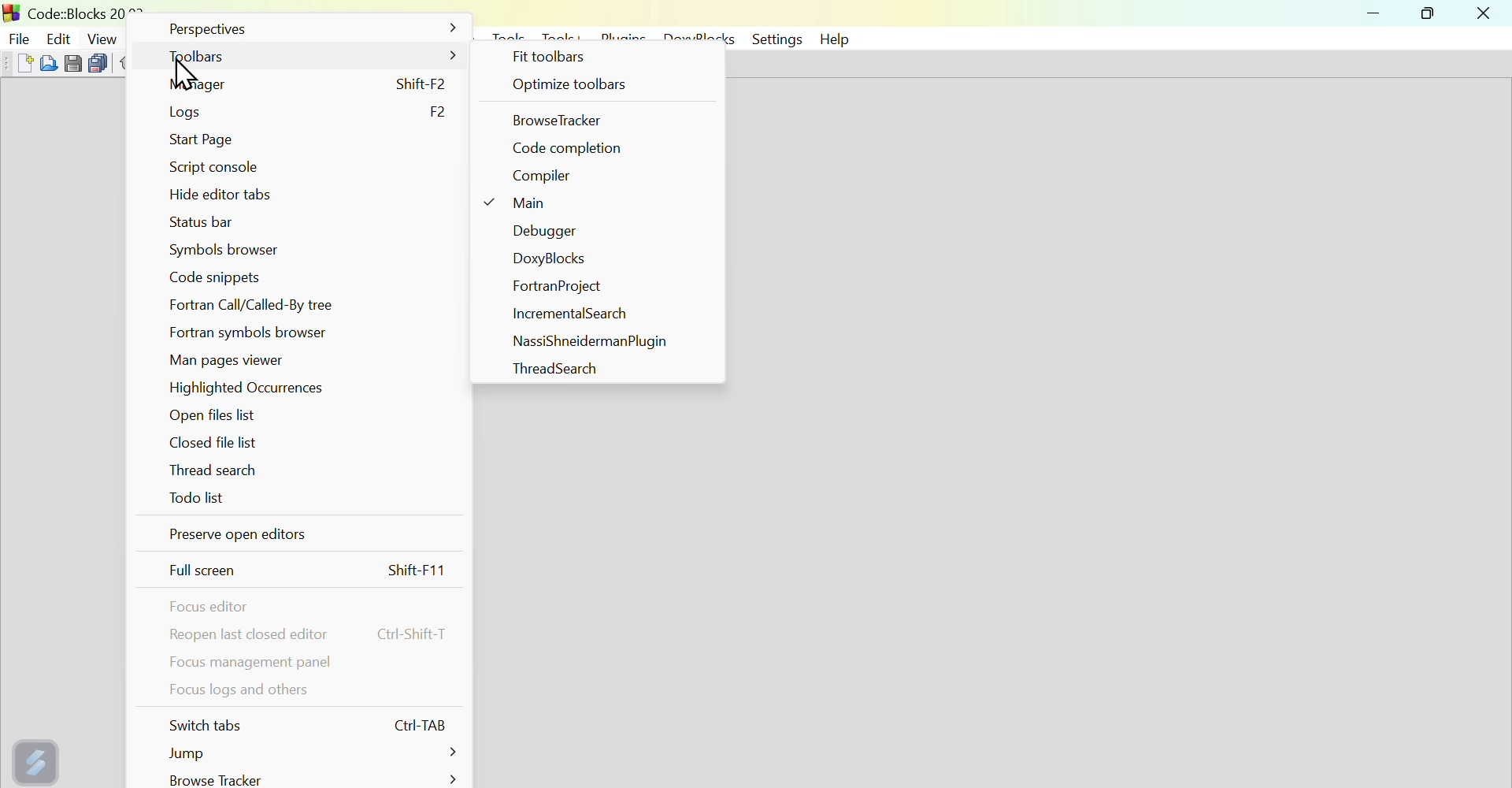 The image size is (1512, 788). What do you see at coordinates (558, 288) in the screenshot?
I see `Fortran project` at bounding box center [558, 288].